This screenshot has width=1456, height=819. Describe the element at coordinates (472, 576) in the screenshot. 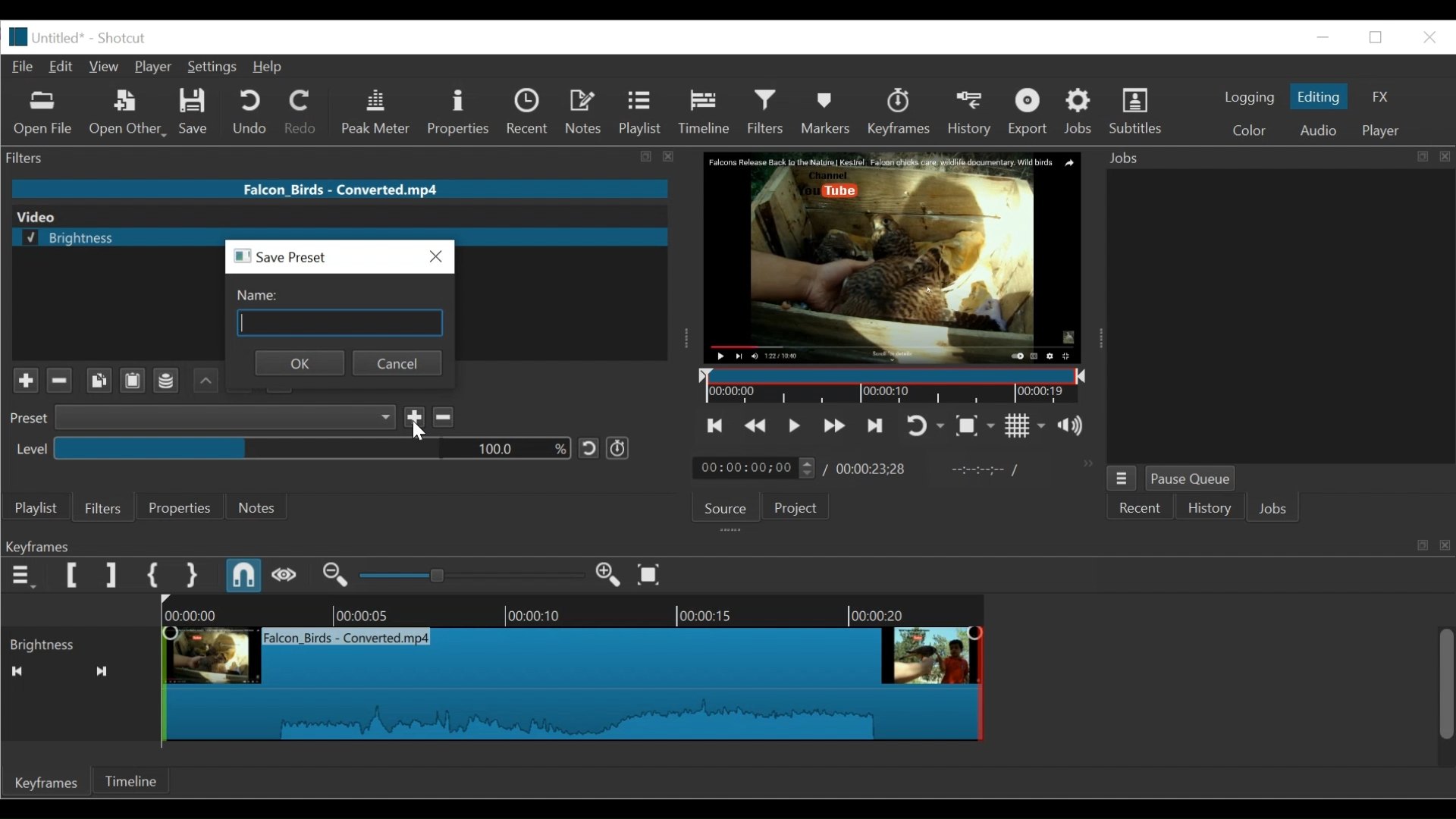

I see `Zoom keyframe slider` at that location.